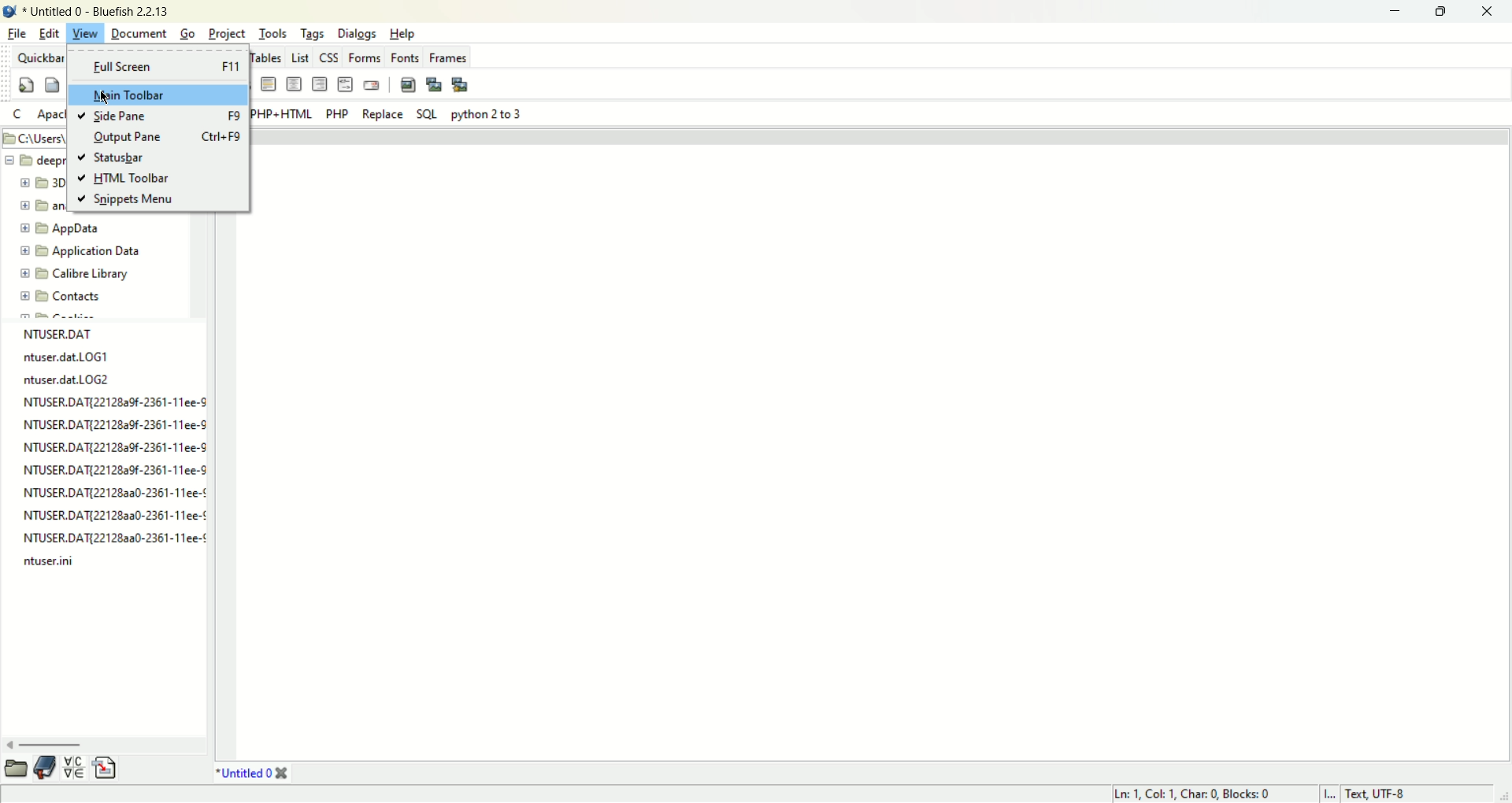 Image resolution: width=1512 pixels, height=803 pixels. What do you see at coordinates (114, 401) in the screenshot?
I see `NTUSER.DAT{22128a9f-2361-11ee-9` at bounding box center [114, 401].